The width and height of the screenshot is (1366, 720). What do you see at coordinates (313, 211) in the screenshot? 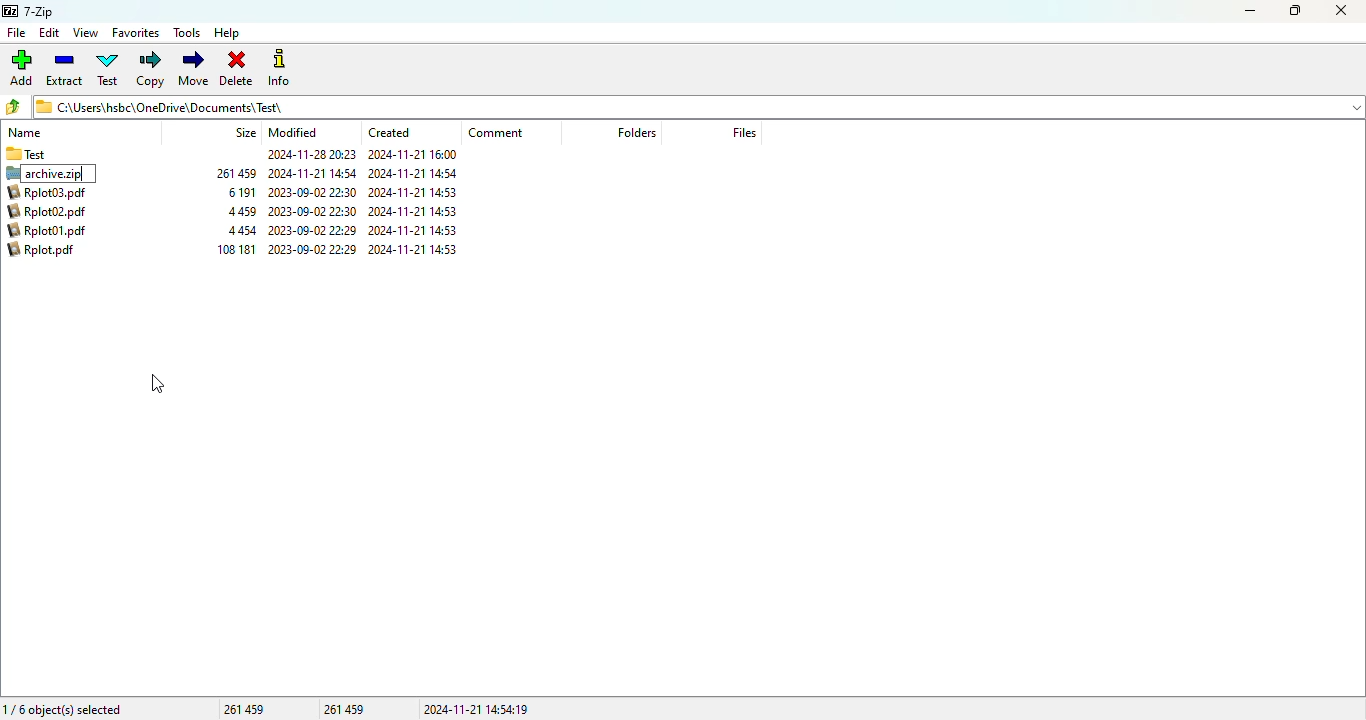
I see `2023-09-02 22:30` at bounding box center [313, 211].